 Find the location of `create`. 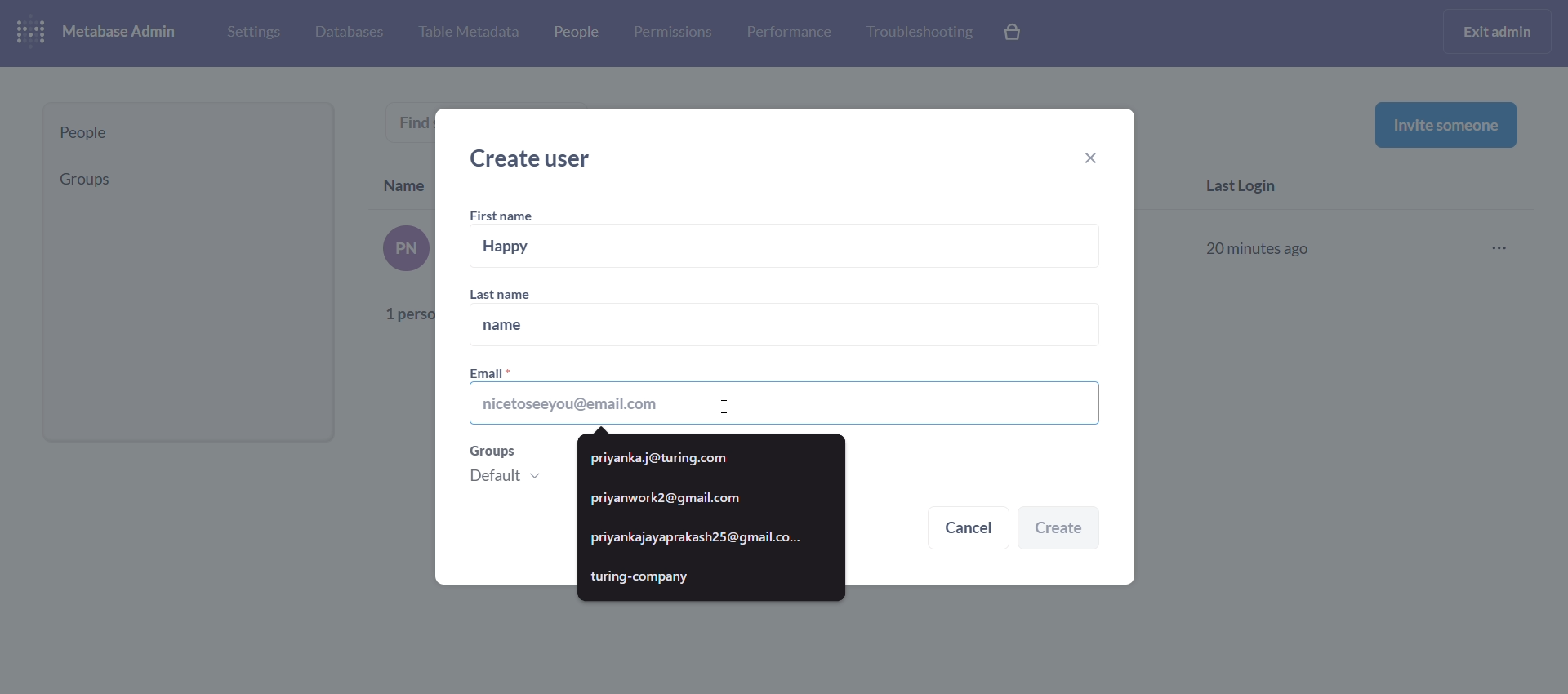

create is located at coordinates (1059, 529).